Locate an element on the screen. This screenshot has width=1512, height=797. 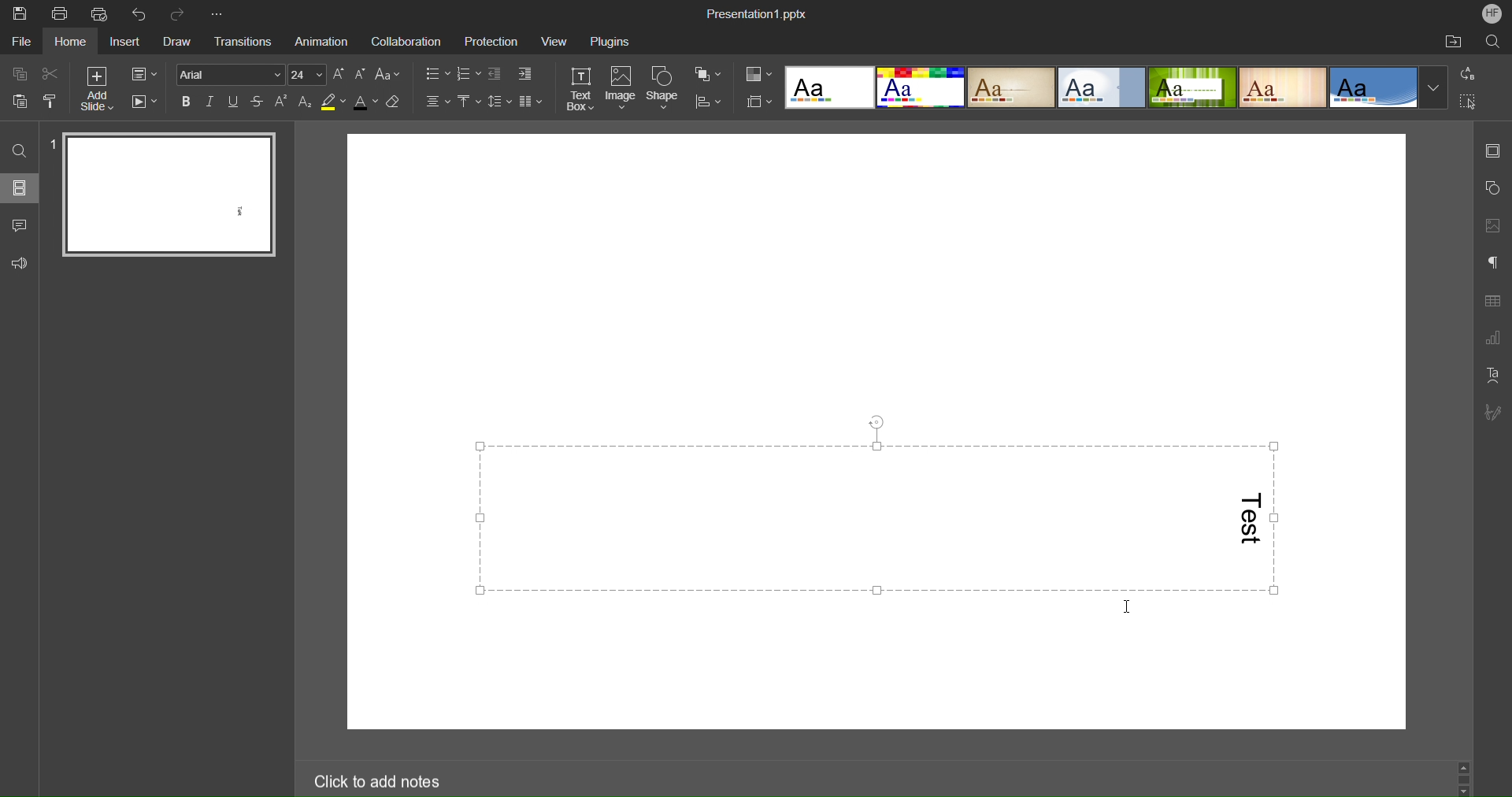
Slide Settings is located at coordinates (1493, 153).